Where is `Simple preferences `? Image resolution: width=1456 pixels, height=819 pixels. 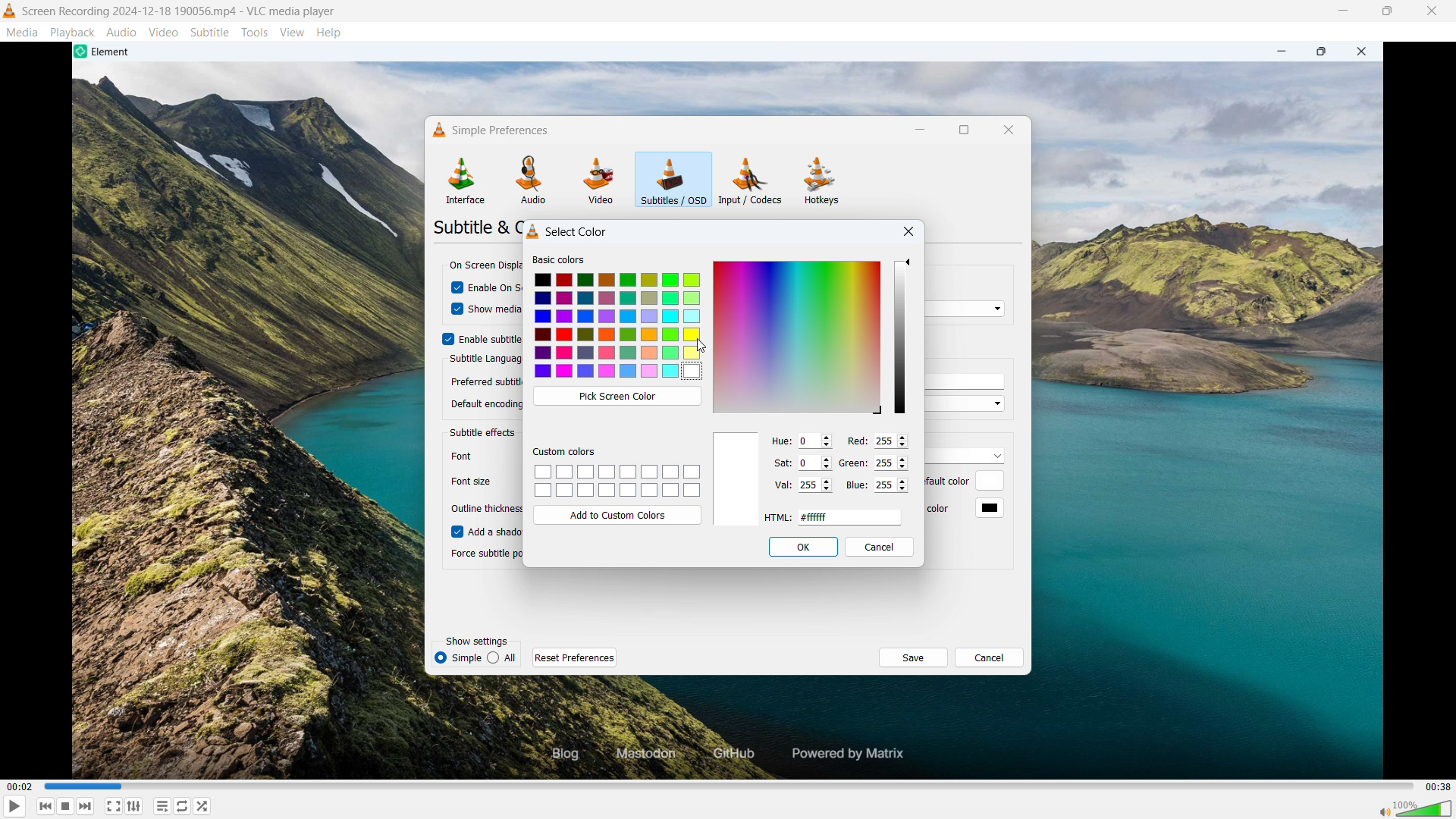
Simple preferences  is located at coordinates (488, 130).